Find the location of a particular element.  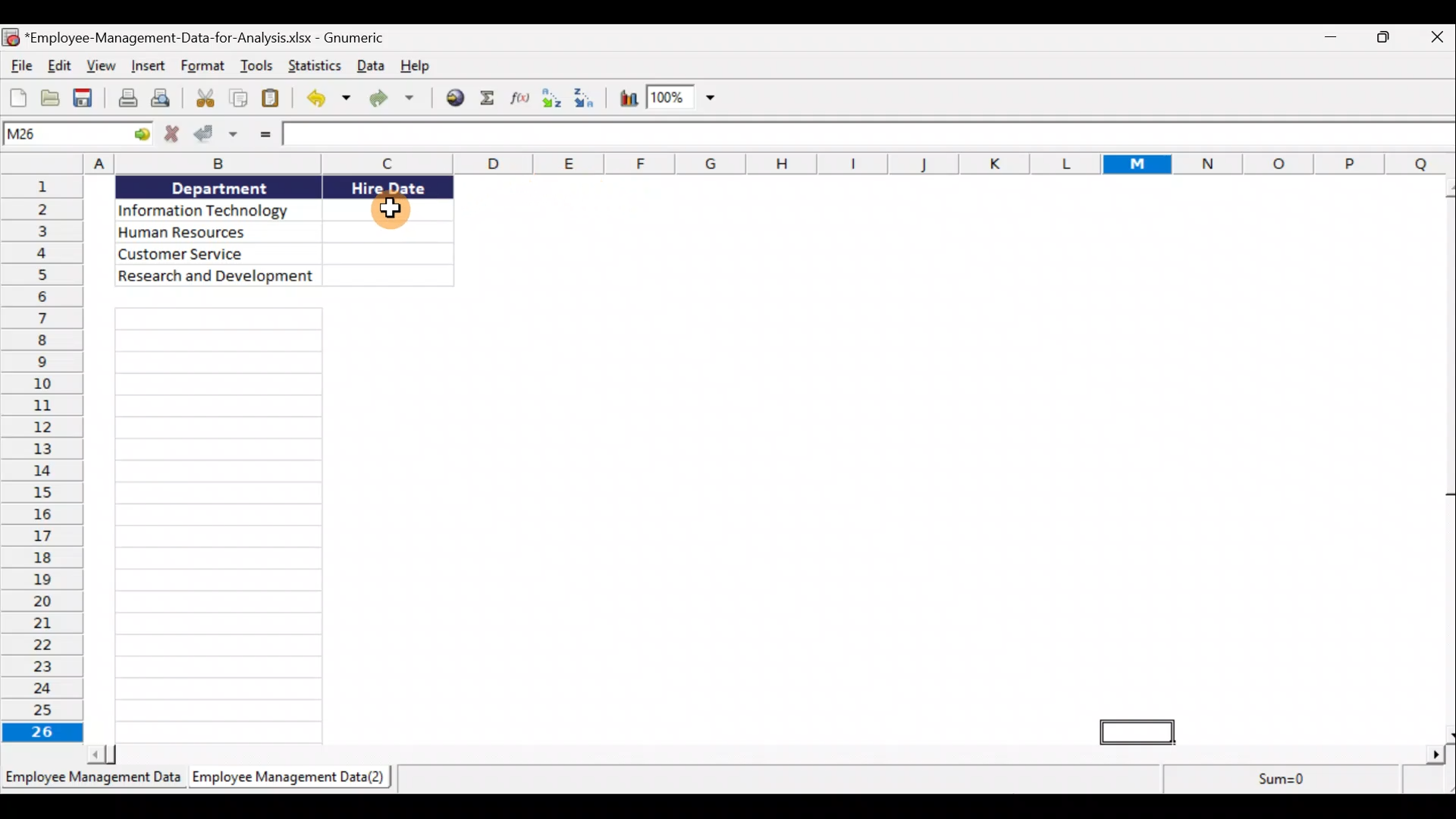

Create a new workbook is located at coordinates (17, 98).